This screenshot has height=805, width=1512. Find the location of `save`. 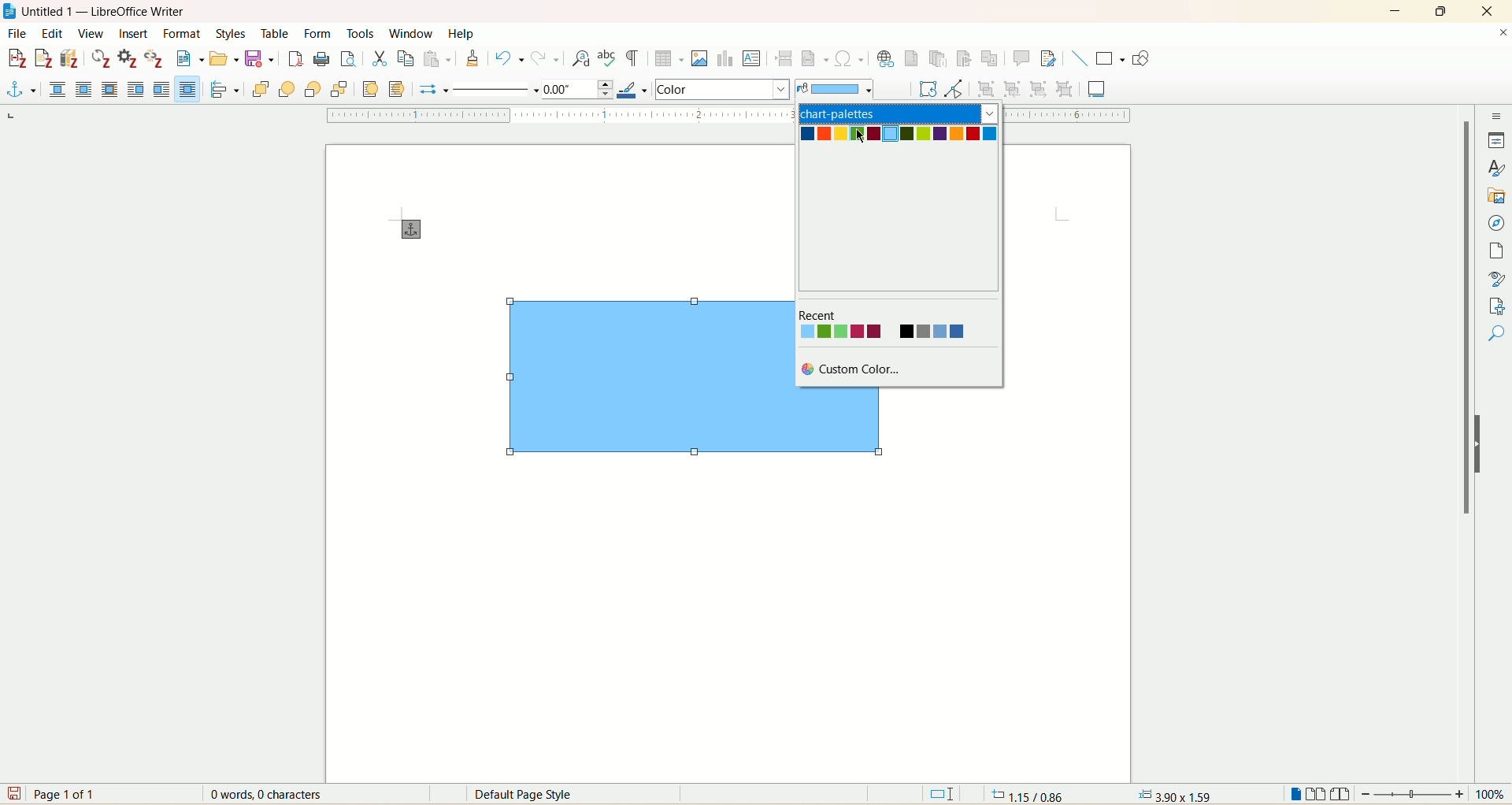

save is located at coordinates (259, 61).